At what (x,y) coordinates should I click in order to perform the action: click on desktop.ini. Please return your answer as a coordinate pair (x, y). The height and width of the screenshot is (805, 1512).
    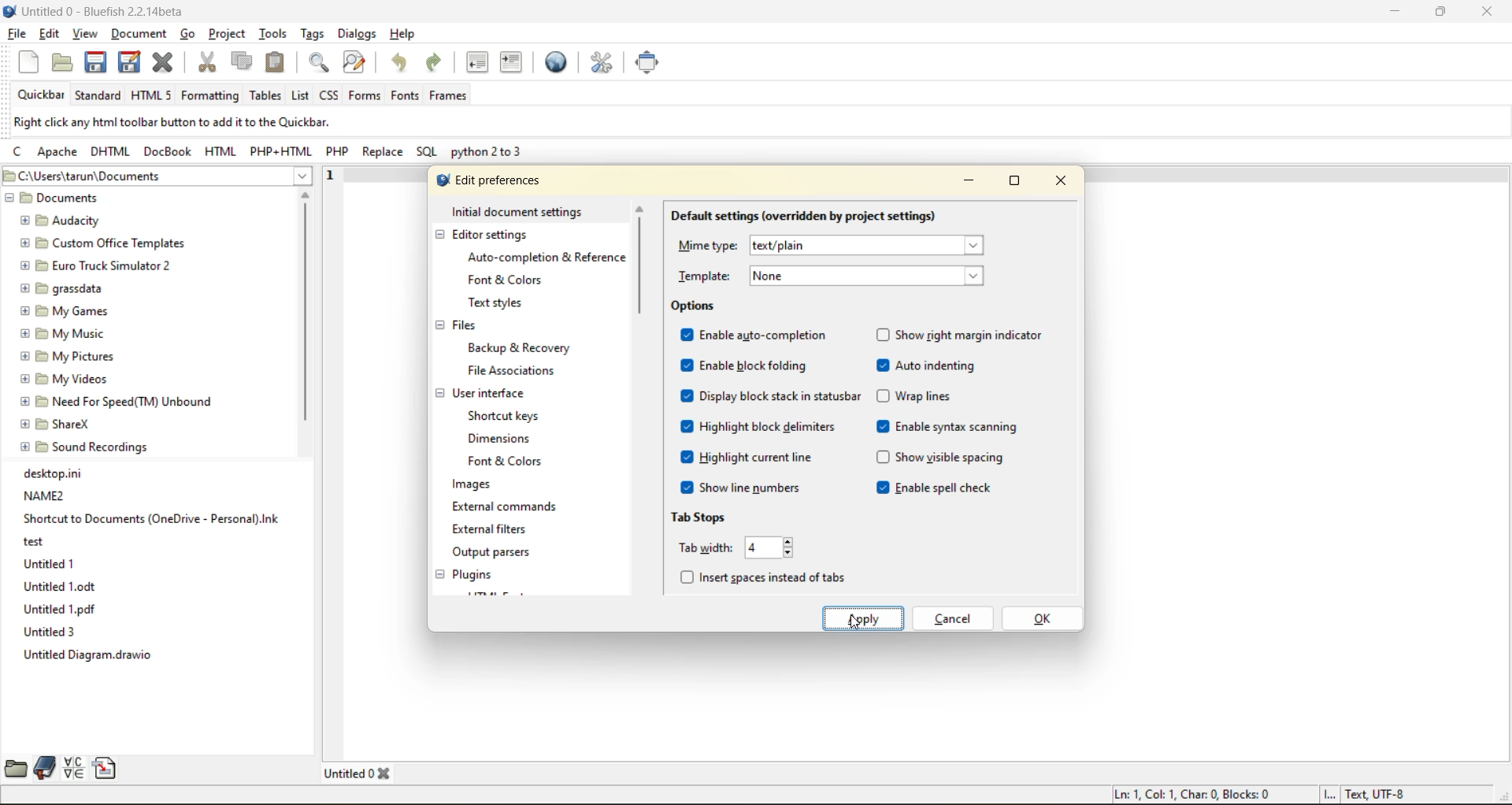
    Looking at the image, I should click on (57, 473).